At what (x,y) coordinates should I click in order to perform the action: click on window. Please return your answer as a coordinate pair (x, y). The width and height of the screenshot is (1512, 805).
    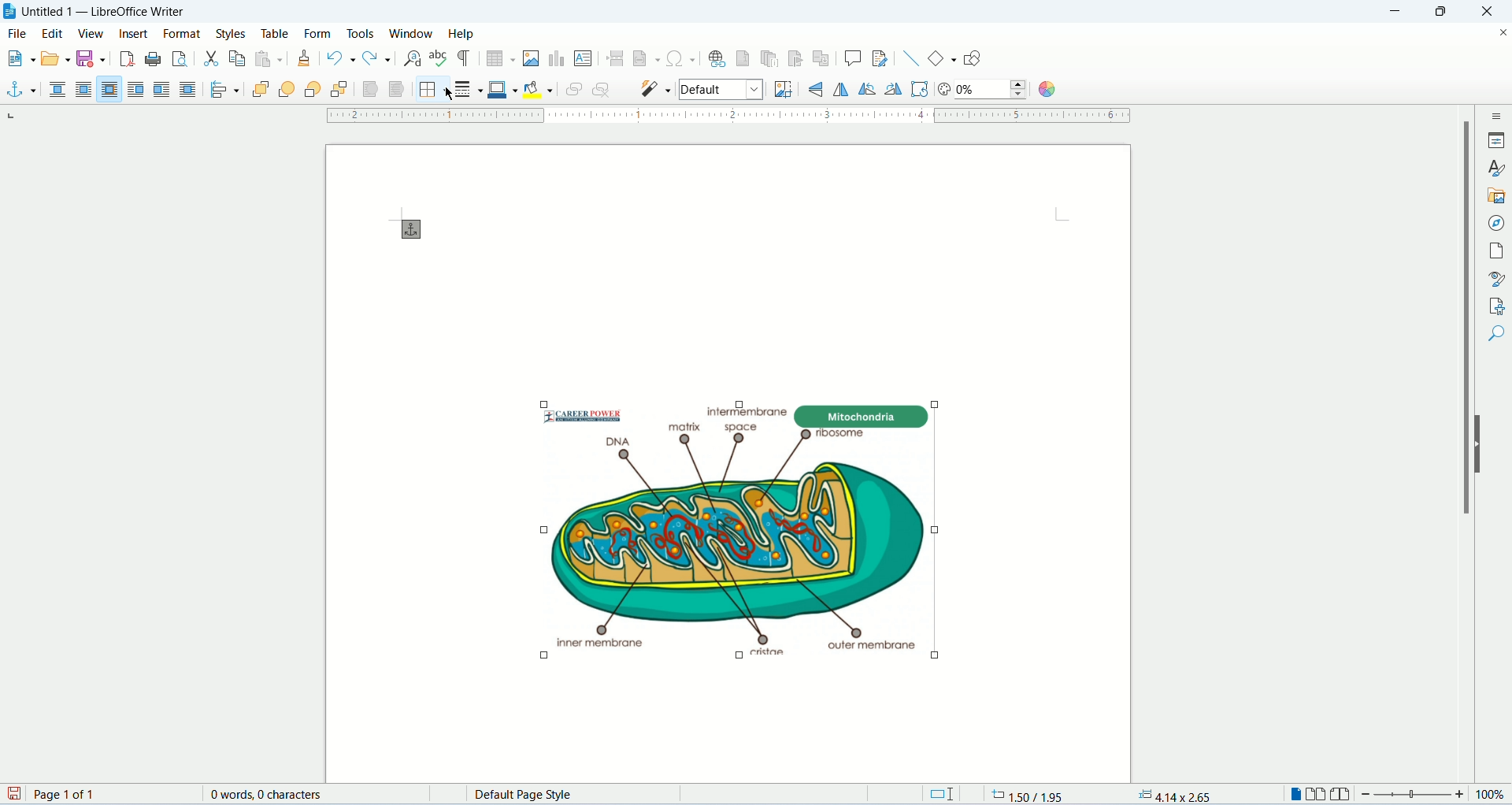
    Looking at the image, I should click on (412, 33).